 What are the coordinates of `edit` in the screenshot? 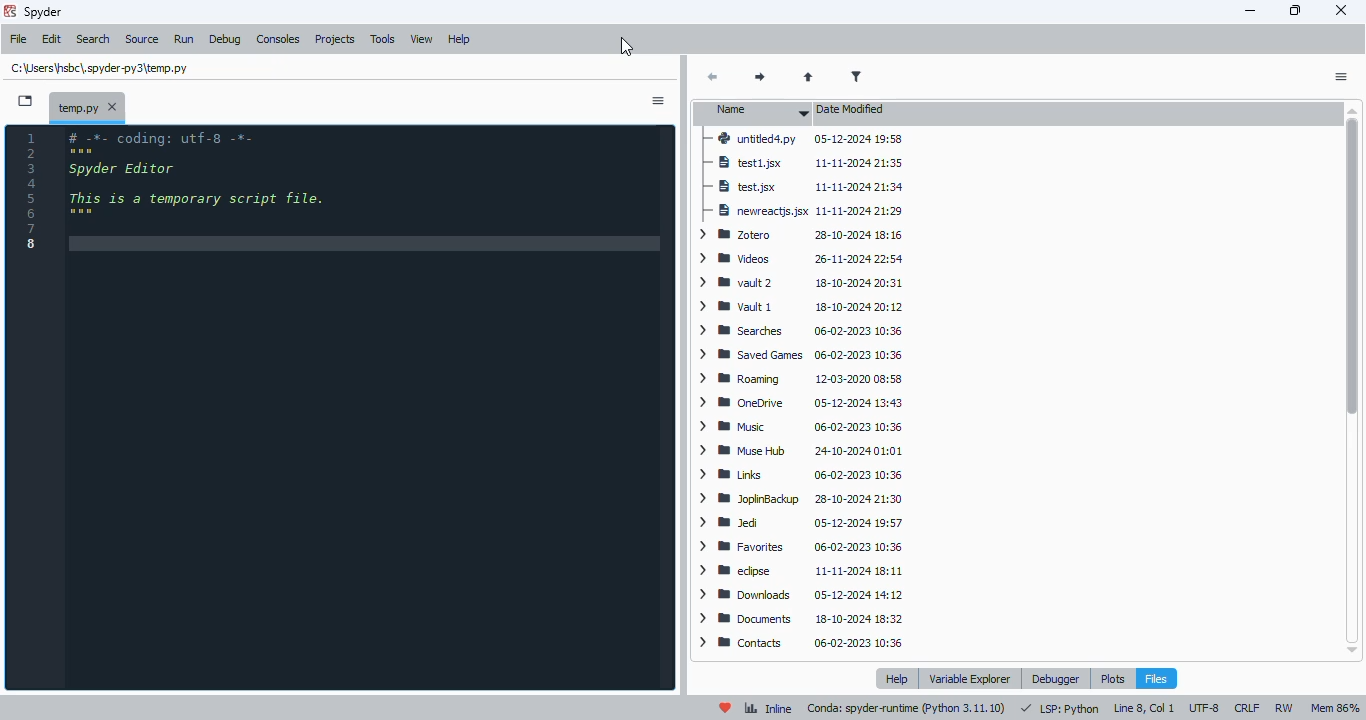 It's located at (52, 40).